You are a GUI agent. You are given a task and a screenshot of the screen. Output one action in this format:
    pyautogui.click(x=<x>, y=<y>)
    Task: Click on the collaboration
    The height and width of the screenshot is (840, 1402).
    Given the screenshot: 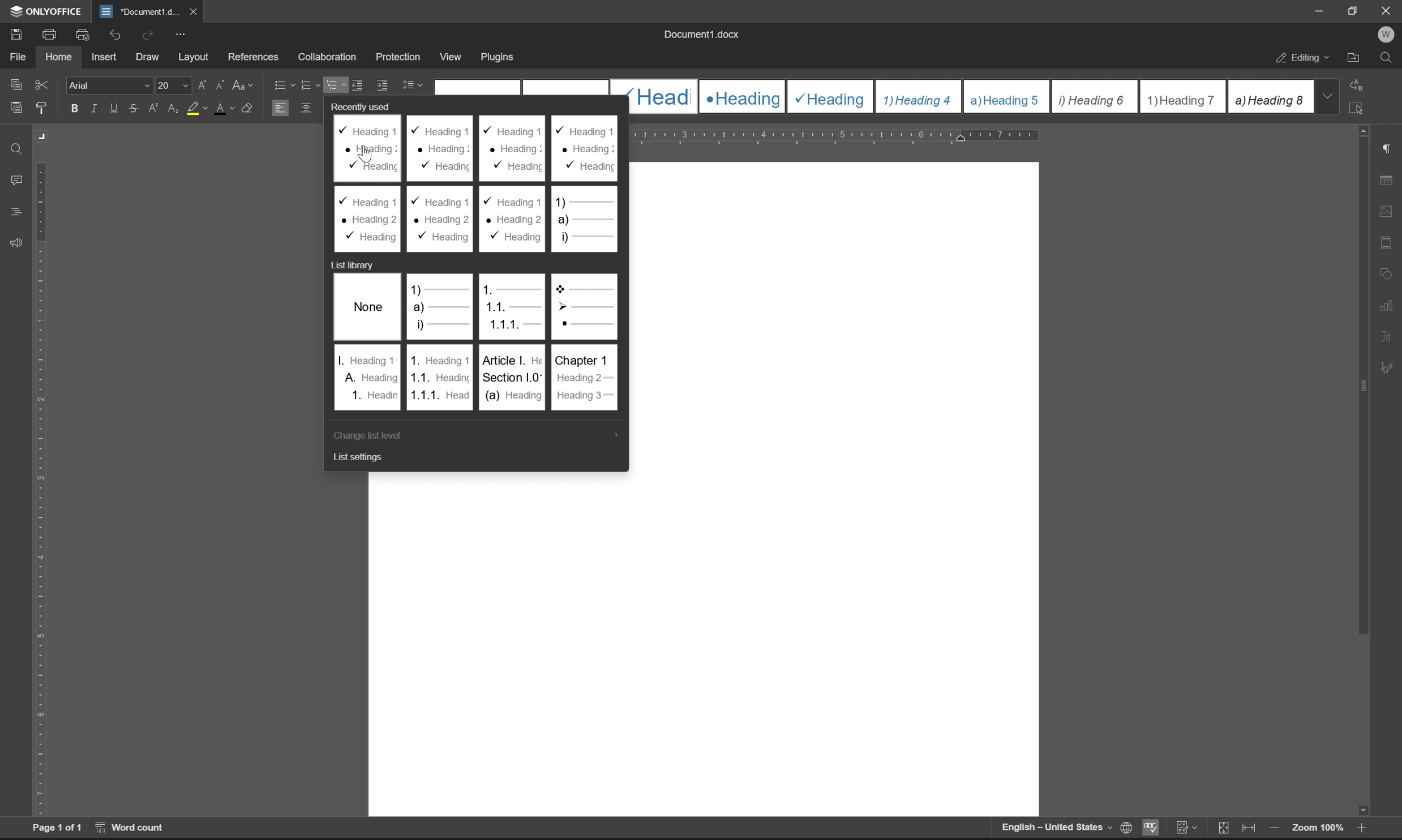 What is the action you would take?
    pyautogui.click(x=331, y=57)
    